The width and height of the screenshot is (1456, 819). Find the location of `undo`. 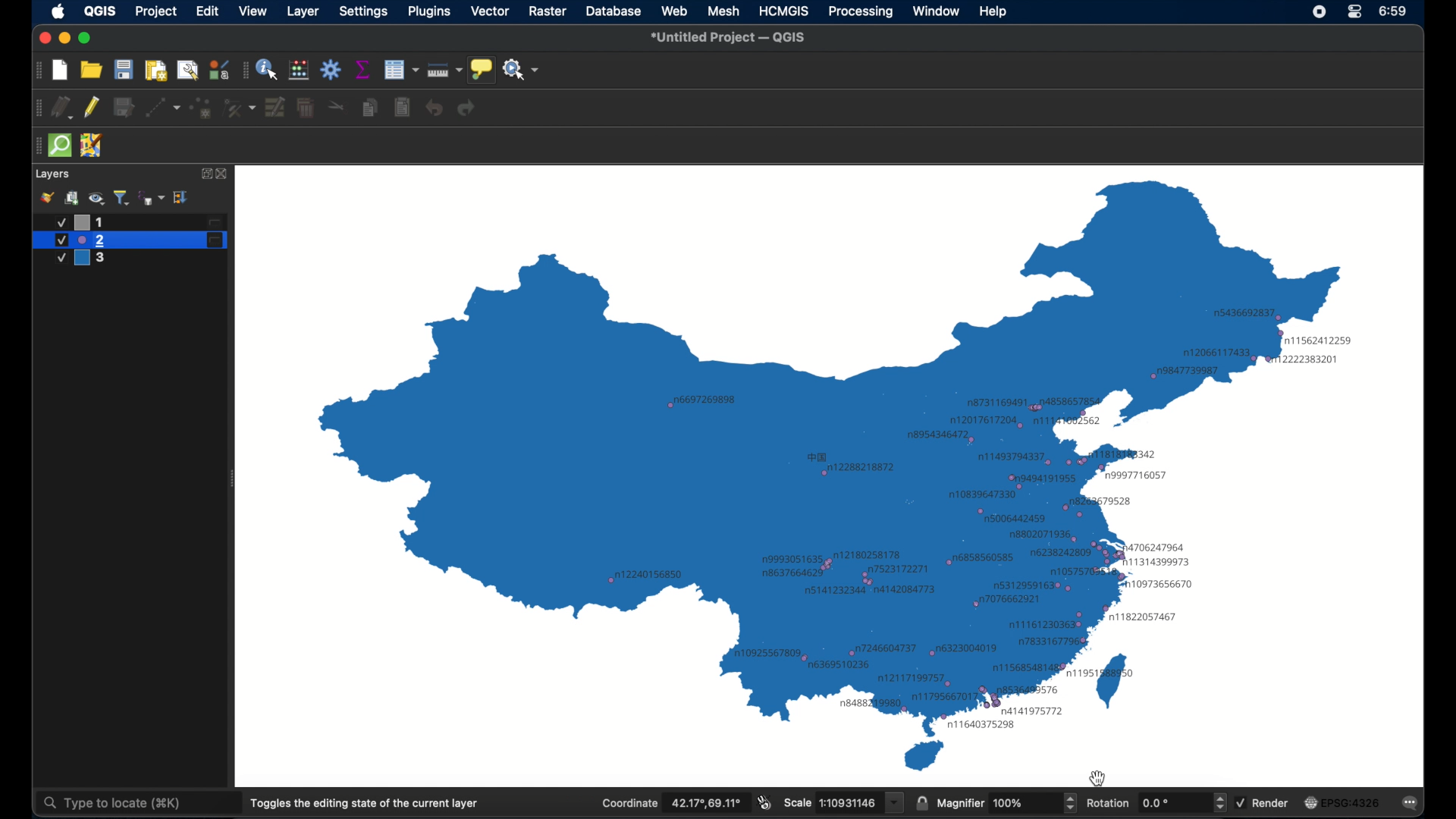

undo is located at coordinates (433, 108).